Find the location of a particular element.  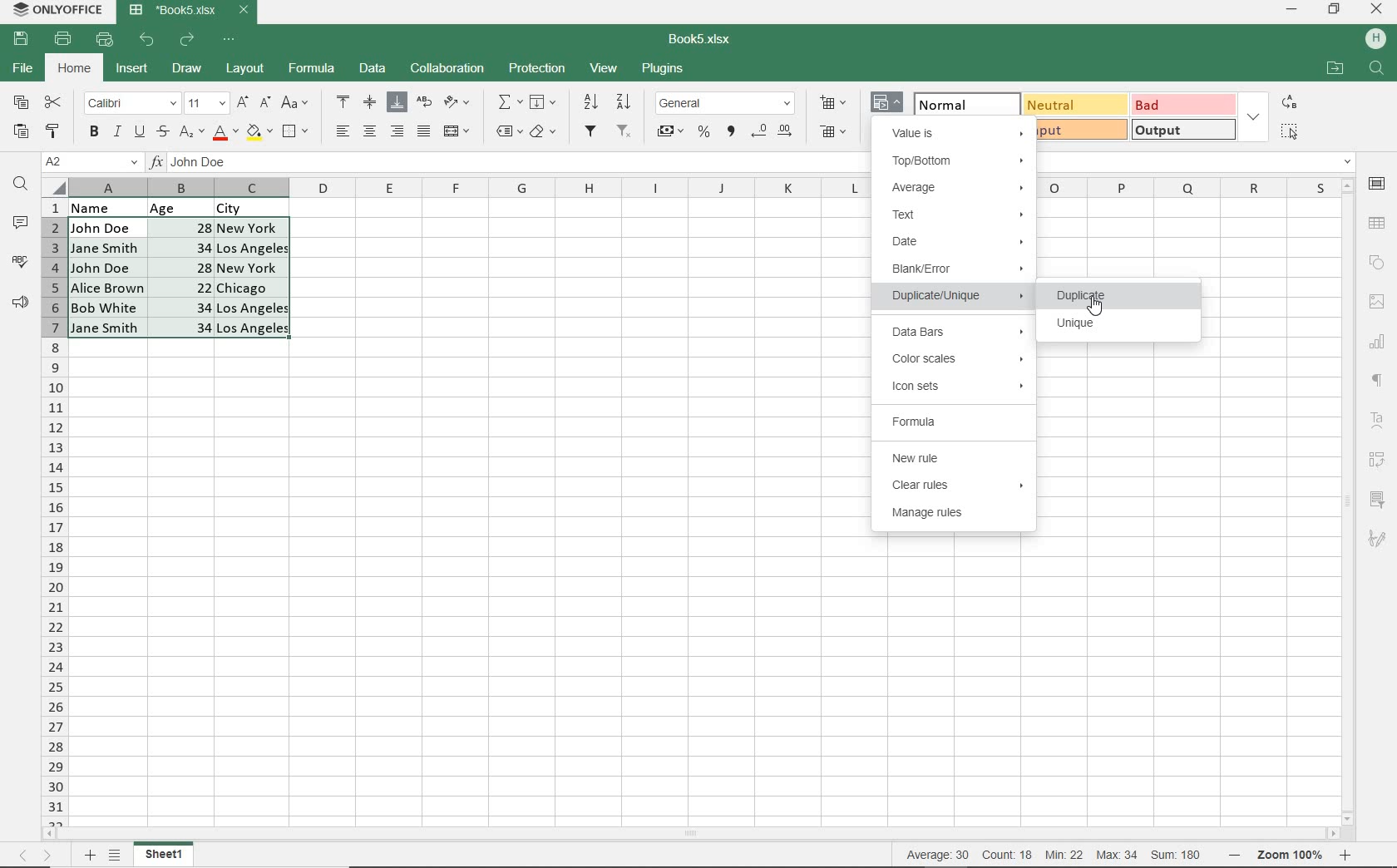

FONT is located at coordinates (130, 102).